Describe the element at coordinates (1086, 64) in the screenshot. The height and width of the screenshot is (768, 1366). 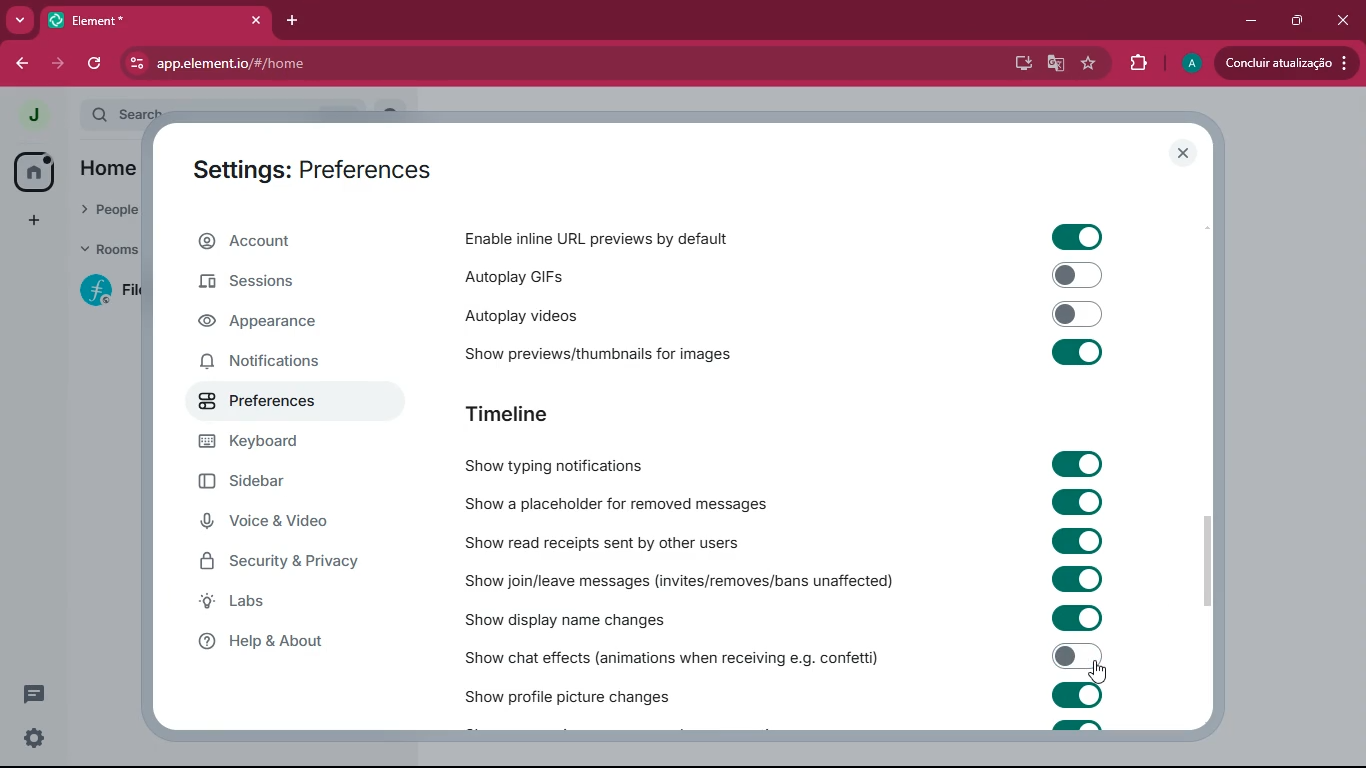
I see `favourite` at that location.